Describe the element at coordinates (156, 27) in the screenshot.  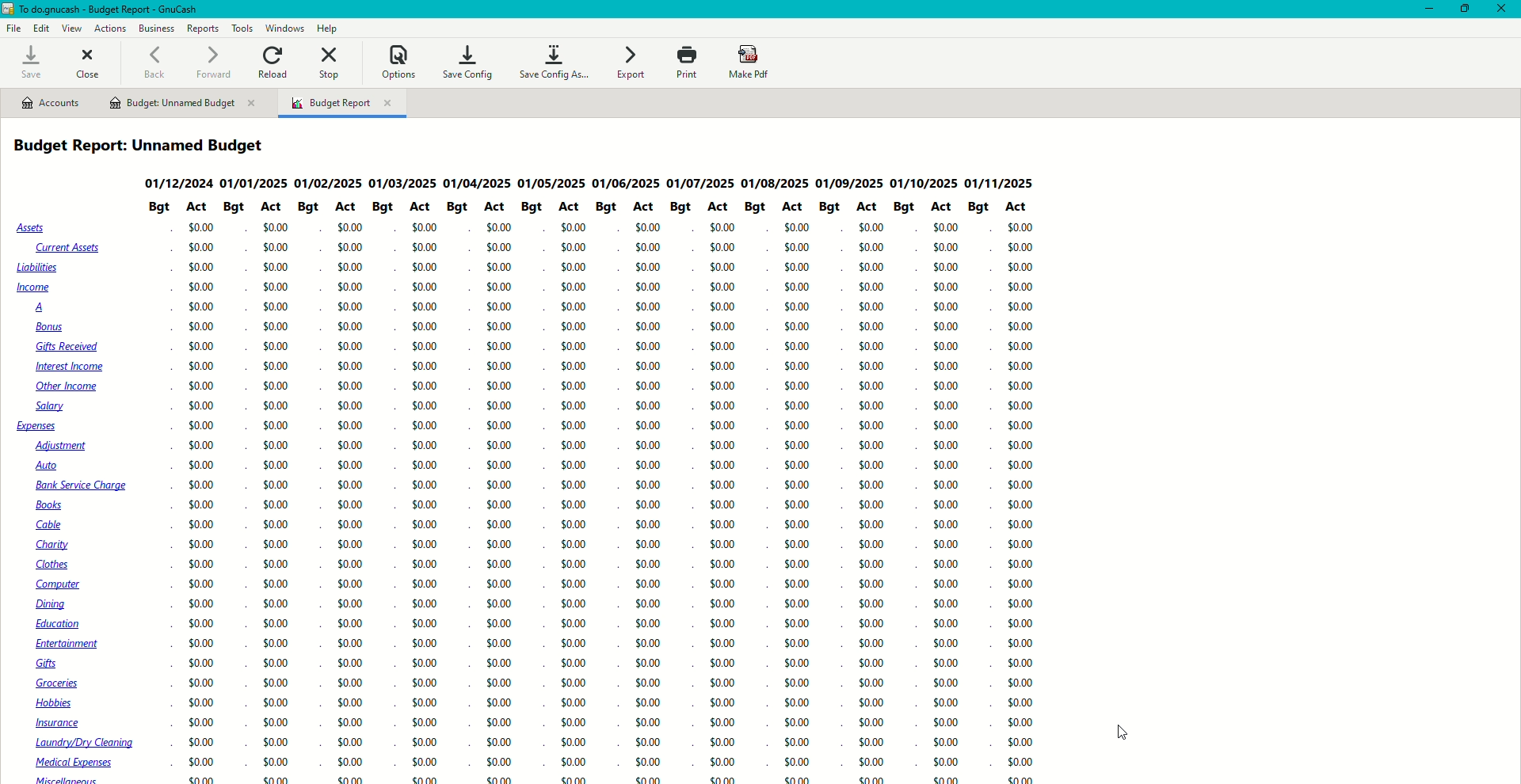
I see `Business` at that location.